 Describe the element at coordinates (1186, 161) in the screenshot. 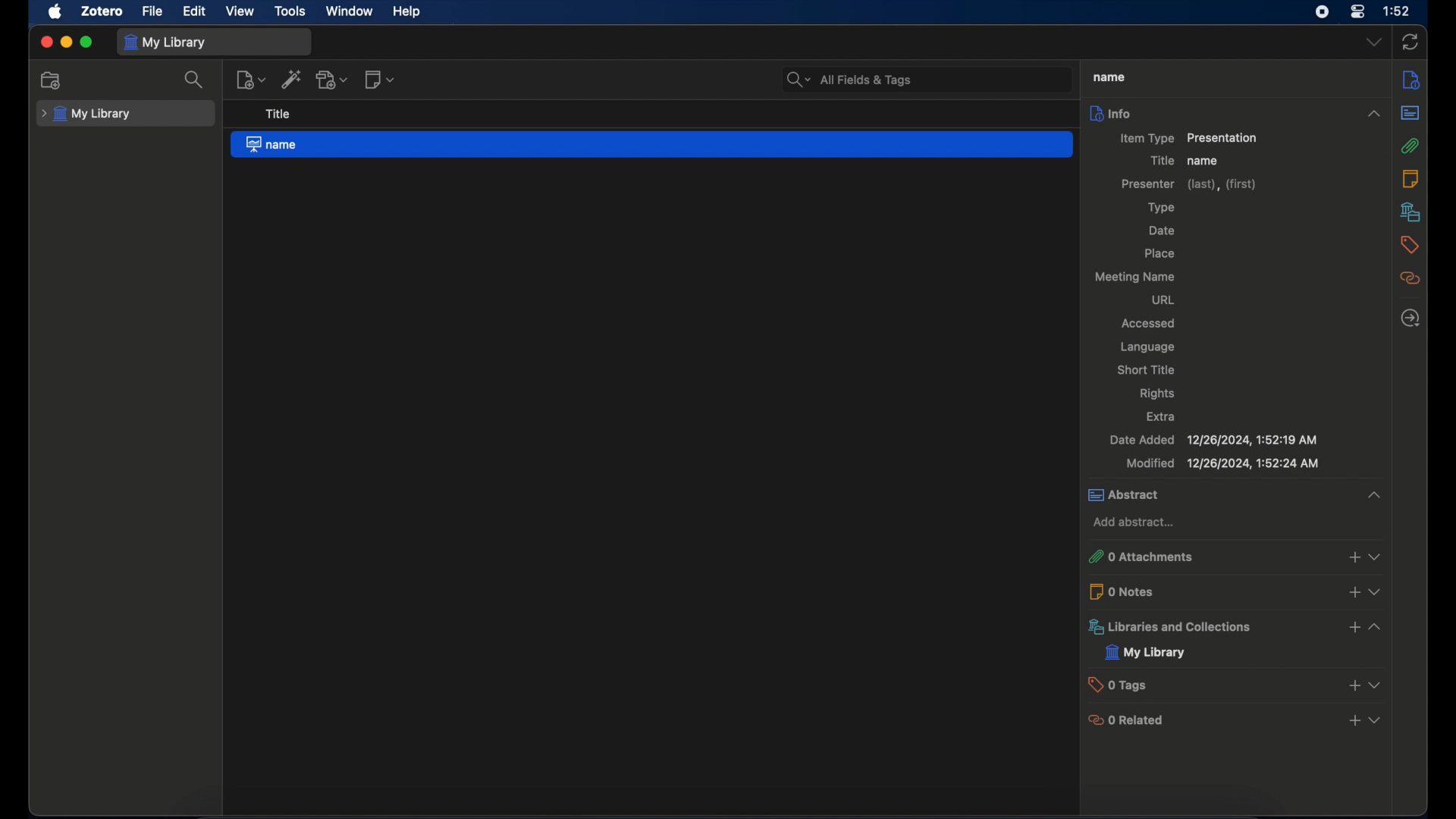

I see `title name` at that location.